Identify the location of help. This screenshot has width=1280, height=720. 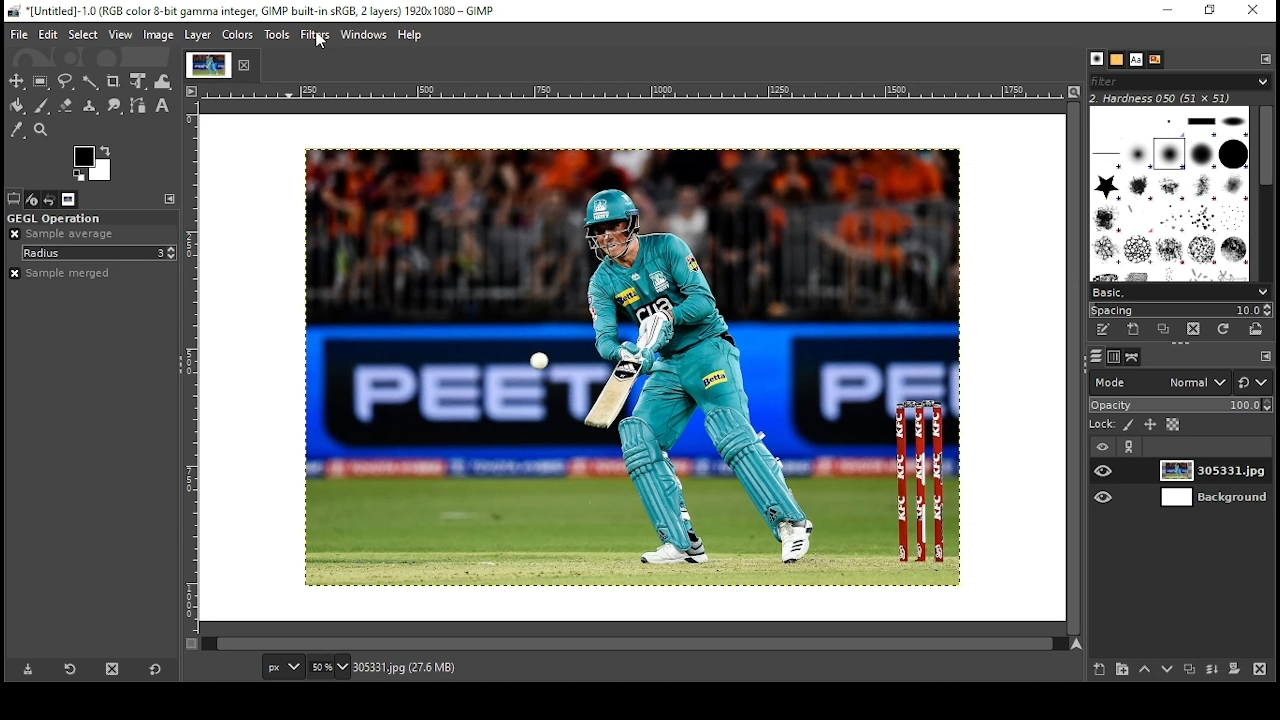
(412, 35).